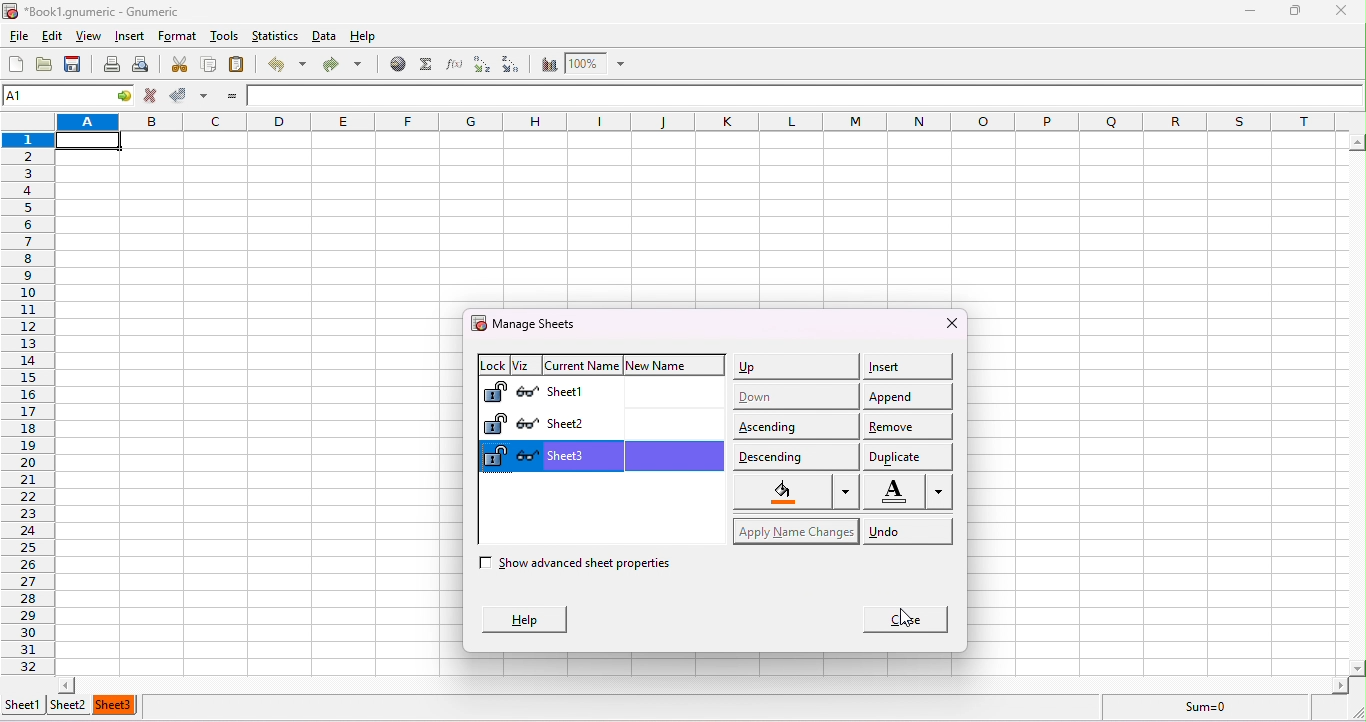 The width and height of the screenshot is (1366, 722). What do you see at coordinates (132, 37) in the screenshot?
I see `insert` at bounding box center [132, 37].